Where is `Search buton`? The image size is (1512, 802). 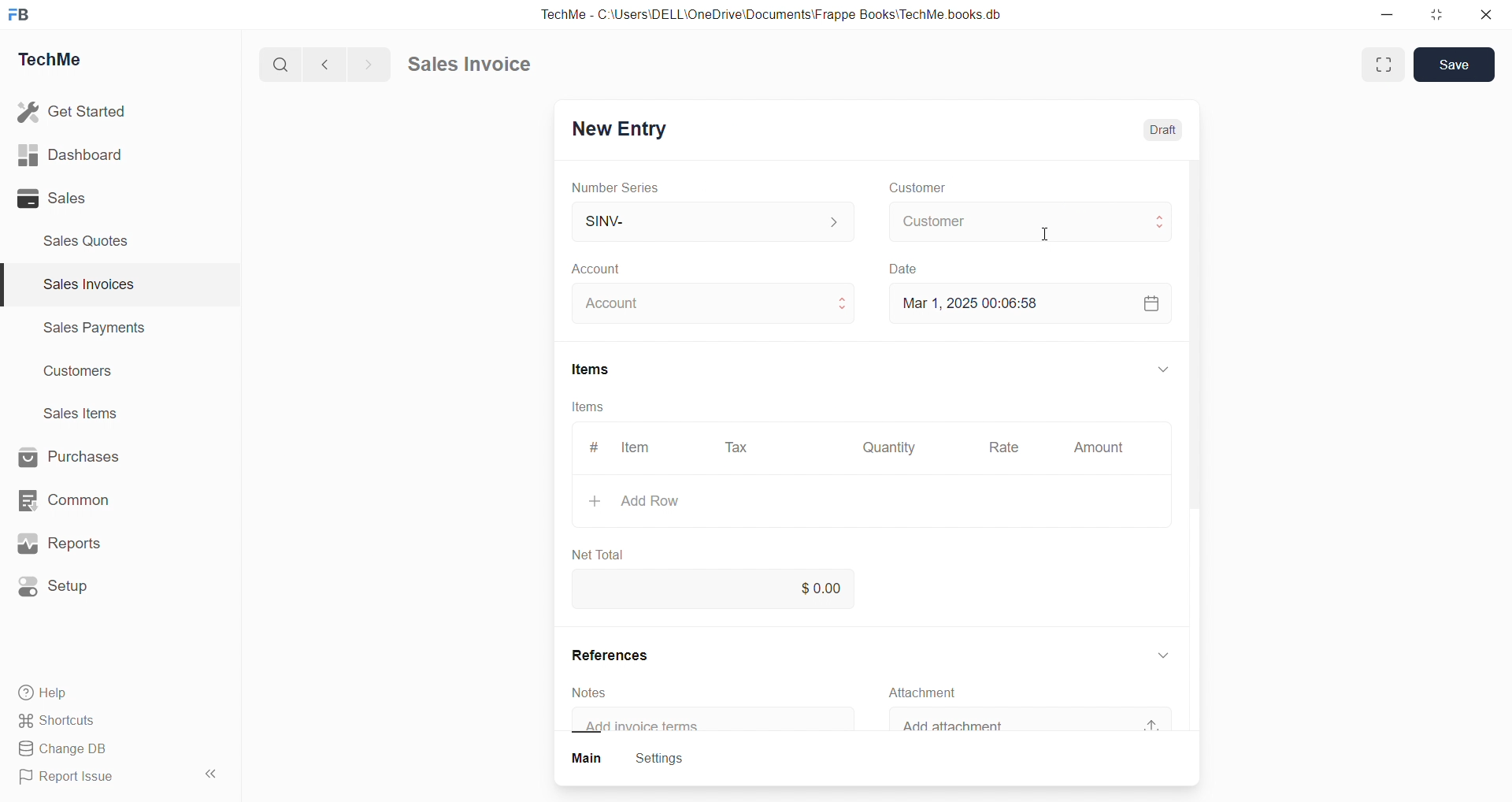 Search buton is located at coordinates (283, 65).